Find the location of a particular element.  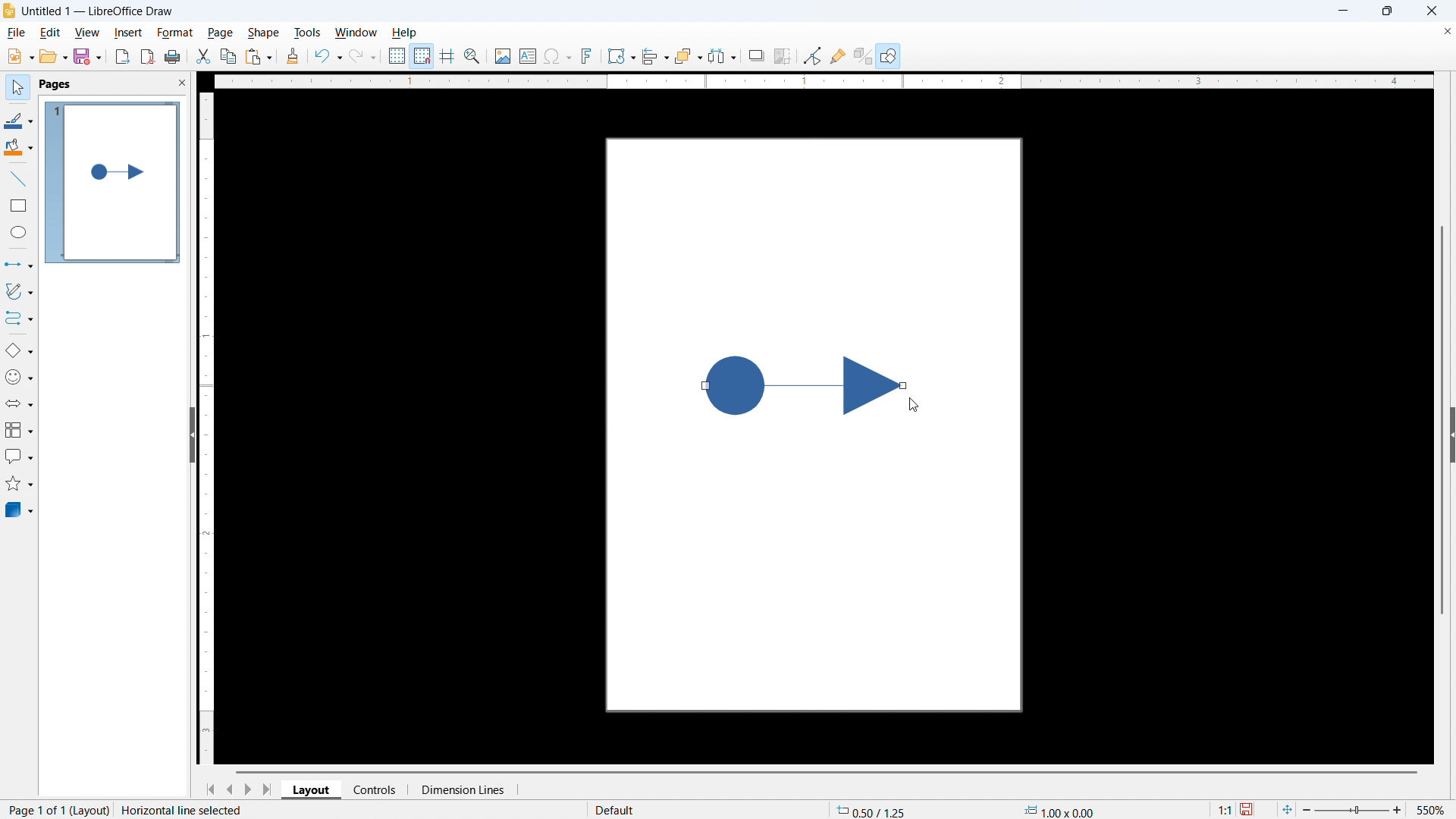

Transformations  is located at coordinates (621, 57).